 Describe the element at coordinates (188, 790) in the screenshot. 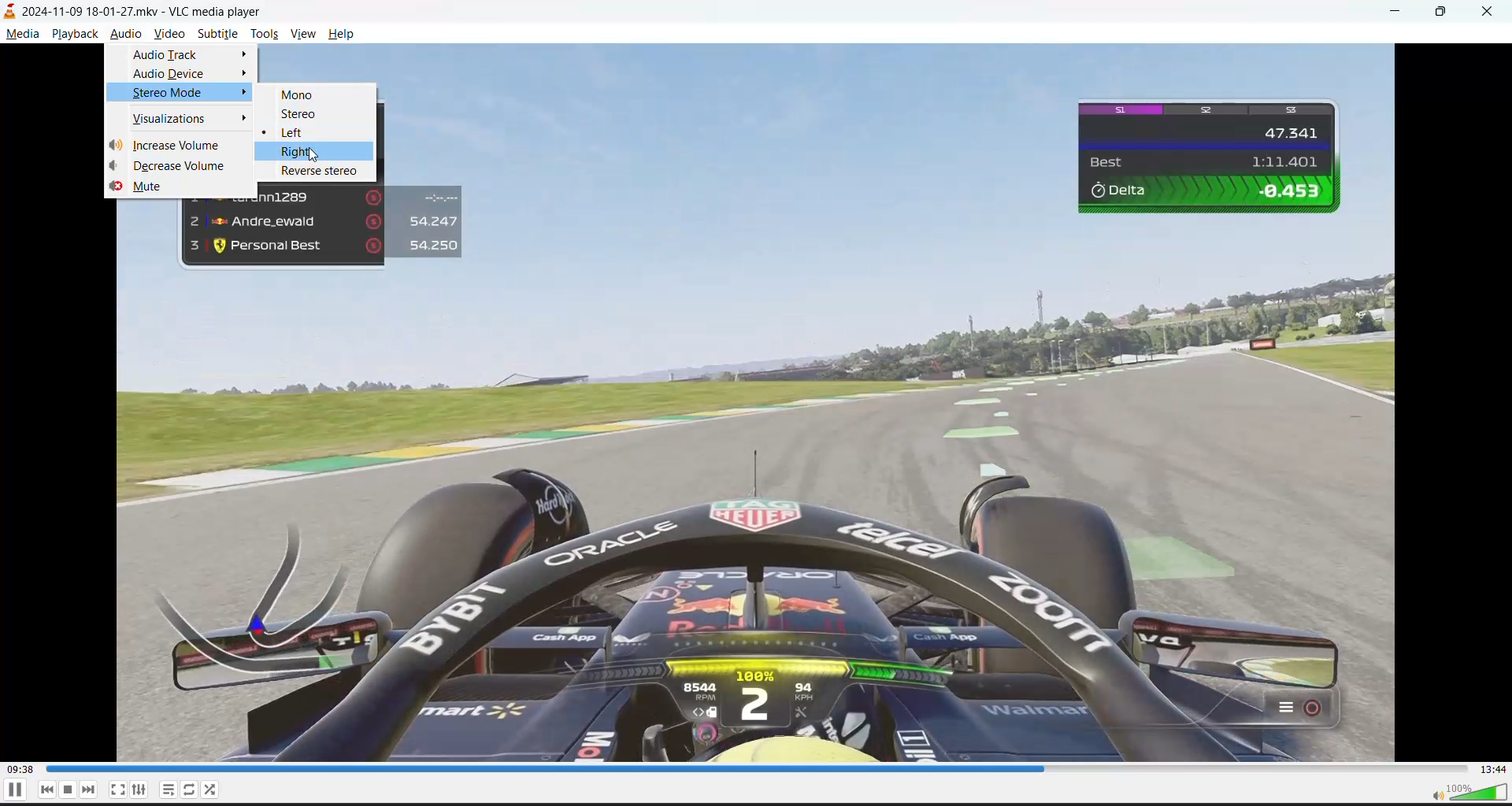

I see `loop` at that location.